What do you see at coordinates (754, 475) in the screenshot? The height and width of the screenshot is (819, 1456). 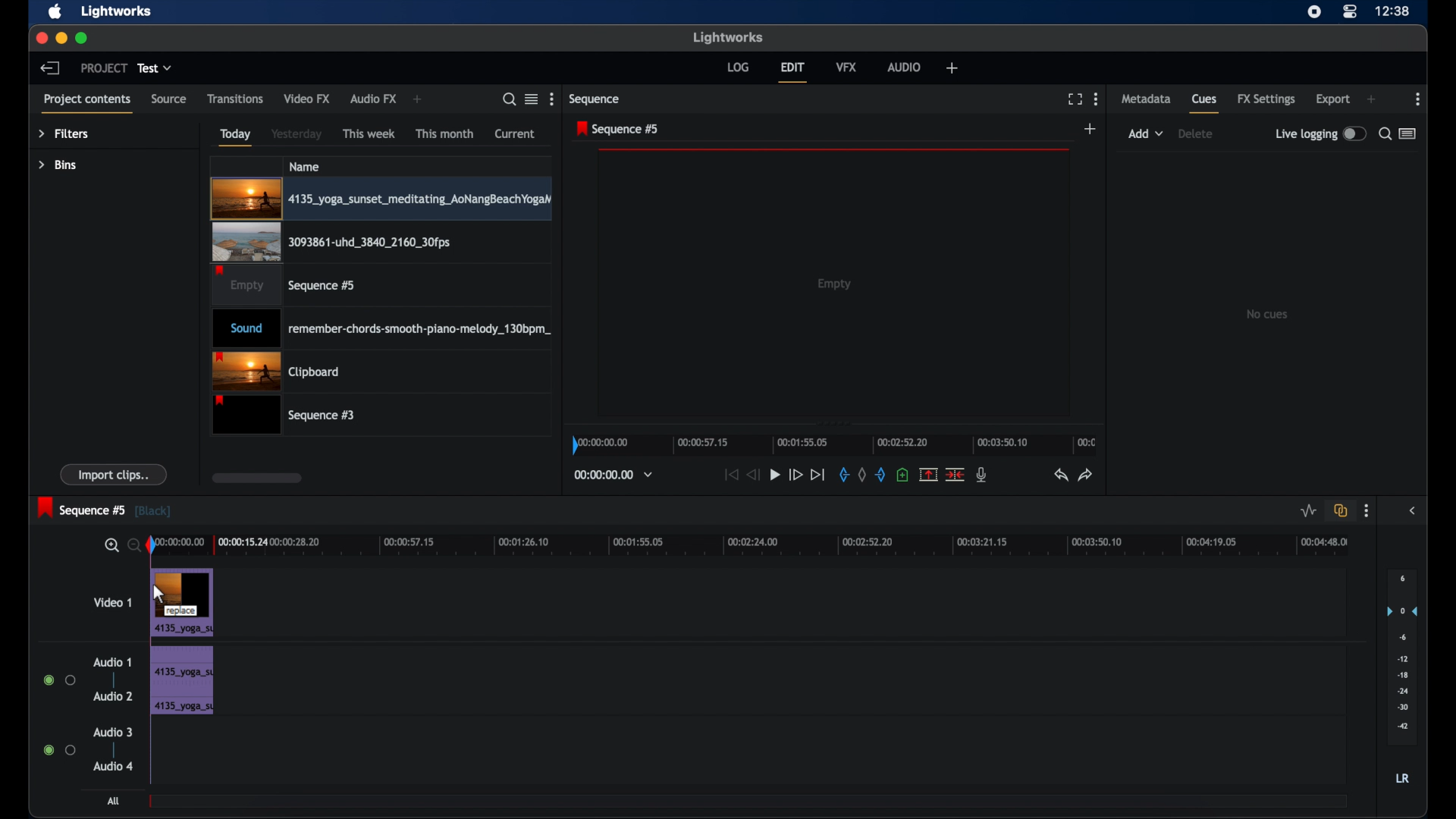 I see `rewind` at bounding box center [754, 475].